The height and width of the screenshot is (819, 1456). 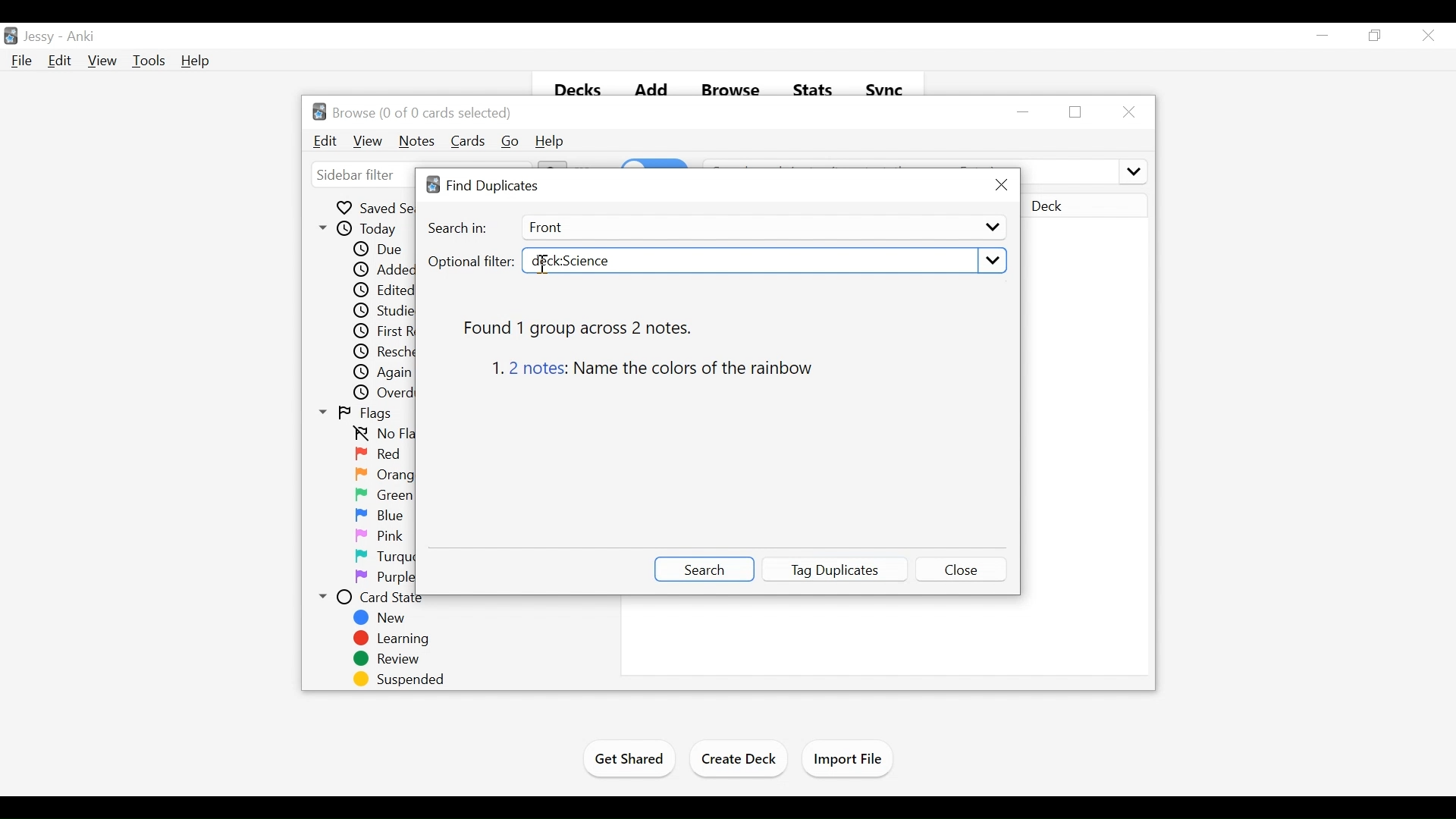 I want to click on Green, so click(x=384, y=495).